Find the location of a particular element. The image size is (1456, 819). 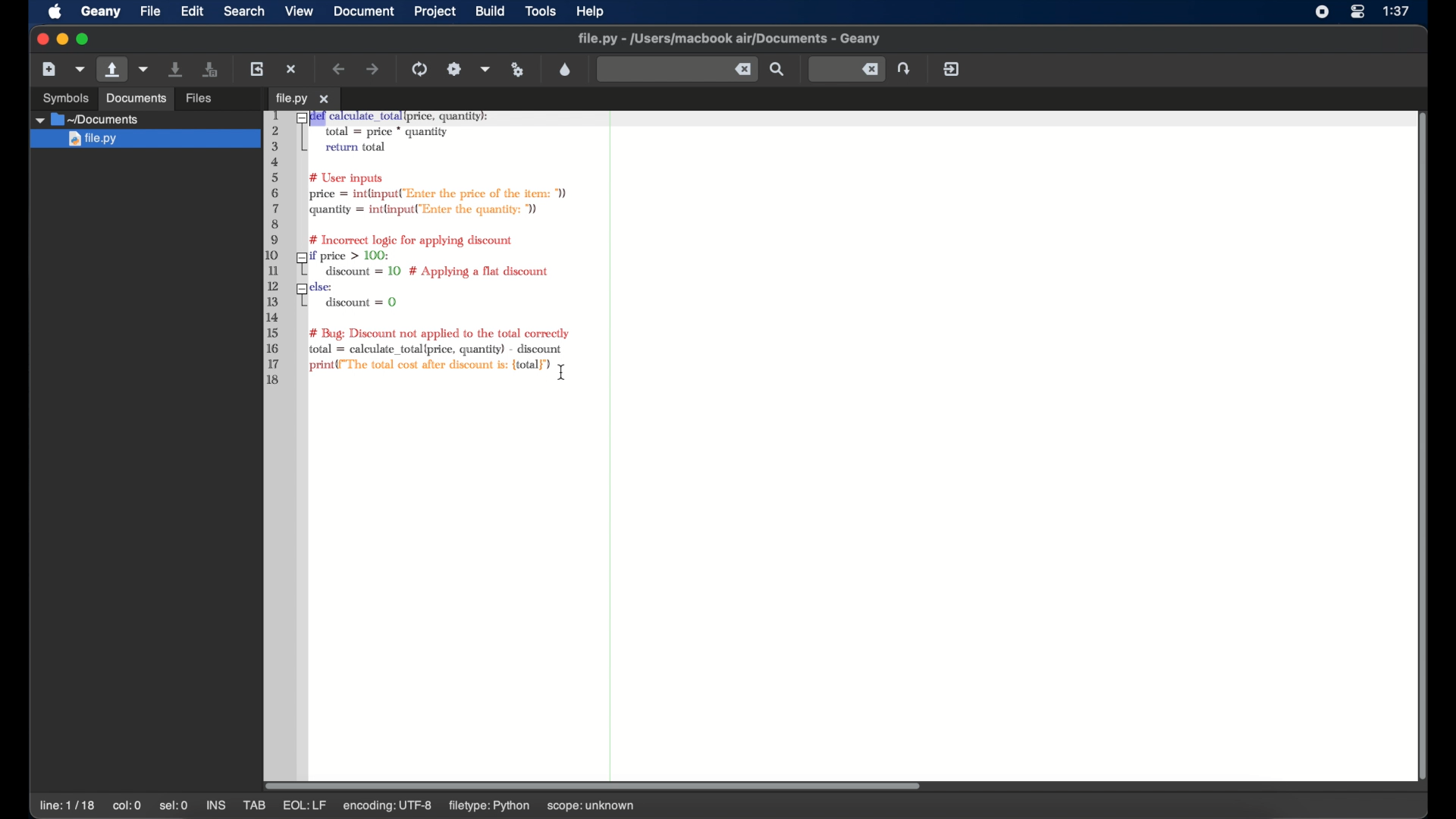

open file is located at coordinates (111, 70).